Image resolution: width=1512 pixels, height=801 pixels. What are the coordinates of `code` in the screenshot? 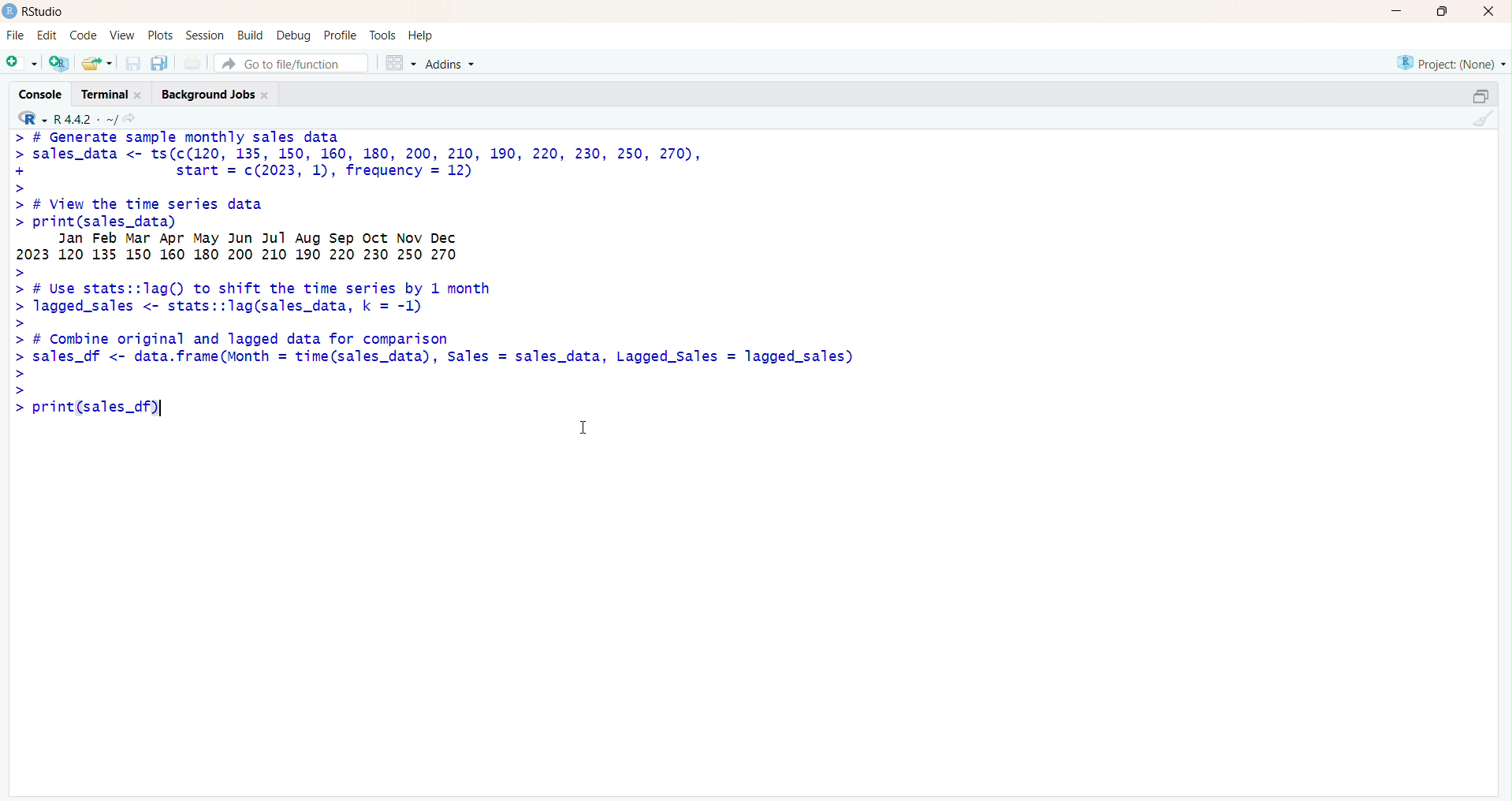 It's located at (84, 36).